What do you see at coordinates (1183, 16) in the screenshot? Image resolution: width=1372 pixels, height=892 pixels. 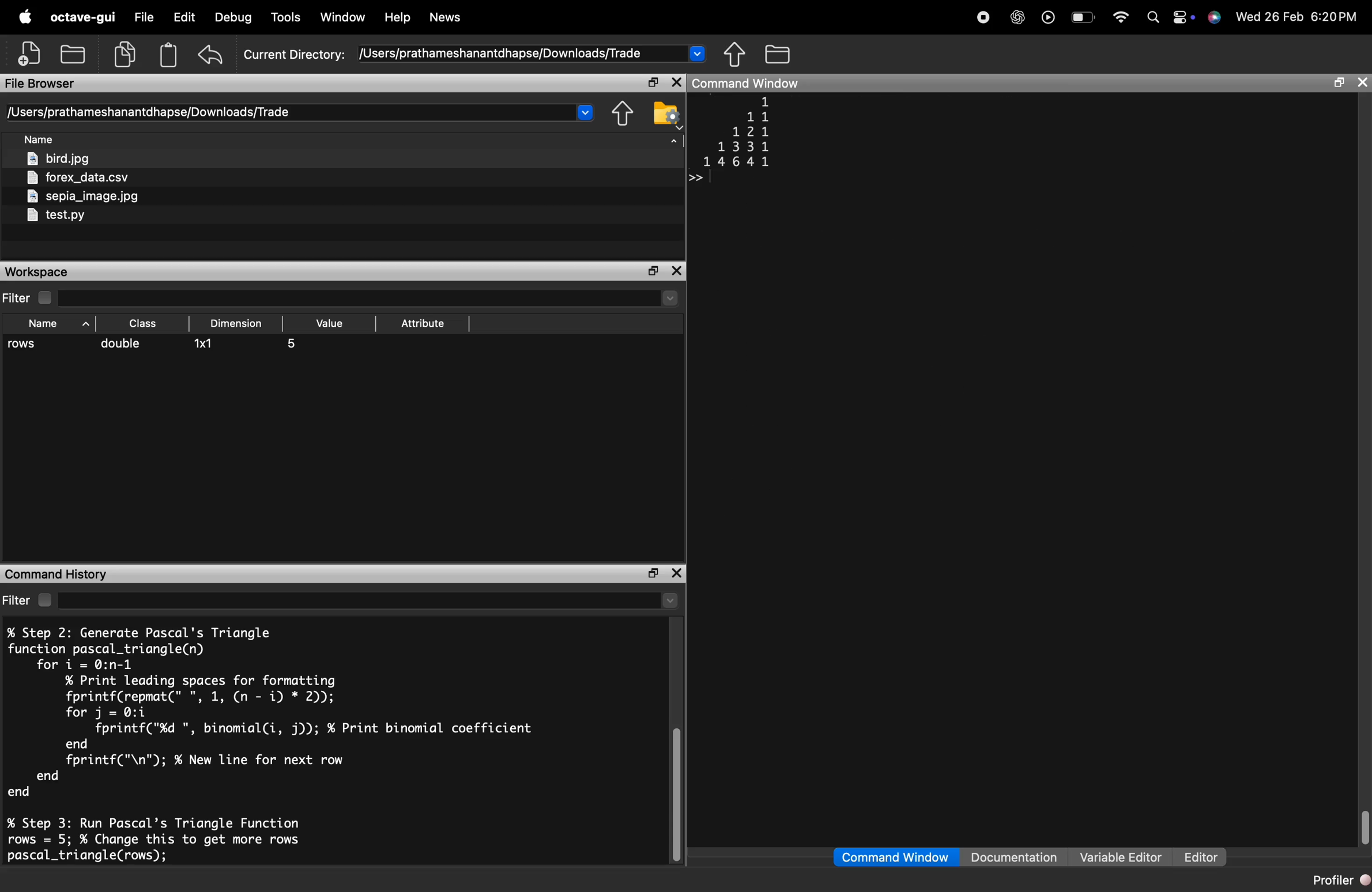 I see `more options` at bounding box center [1183, 16].